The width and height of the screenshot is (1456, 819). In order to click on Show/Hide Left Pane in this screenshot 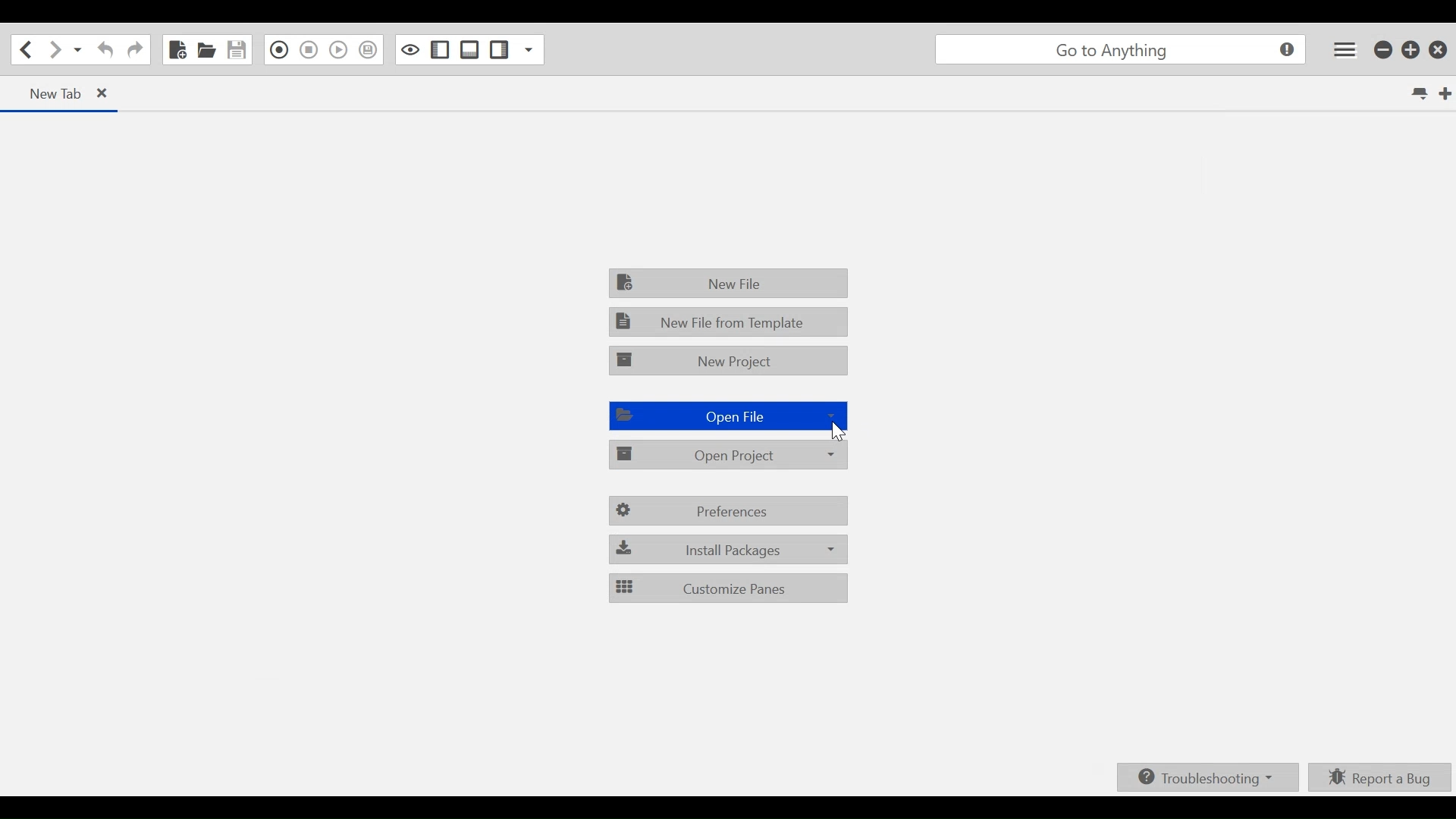, I will do `click(498, 49)`.